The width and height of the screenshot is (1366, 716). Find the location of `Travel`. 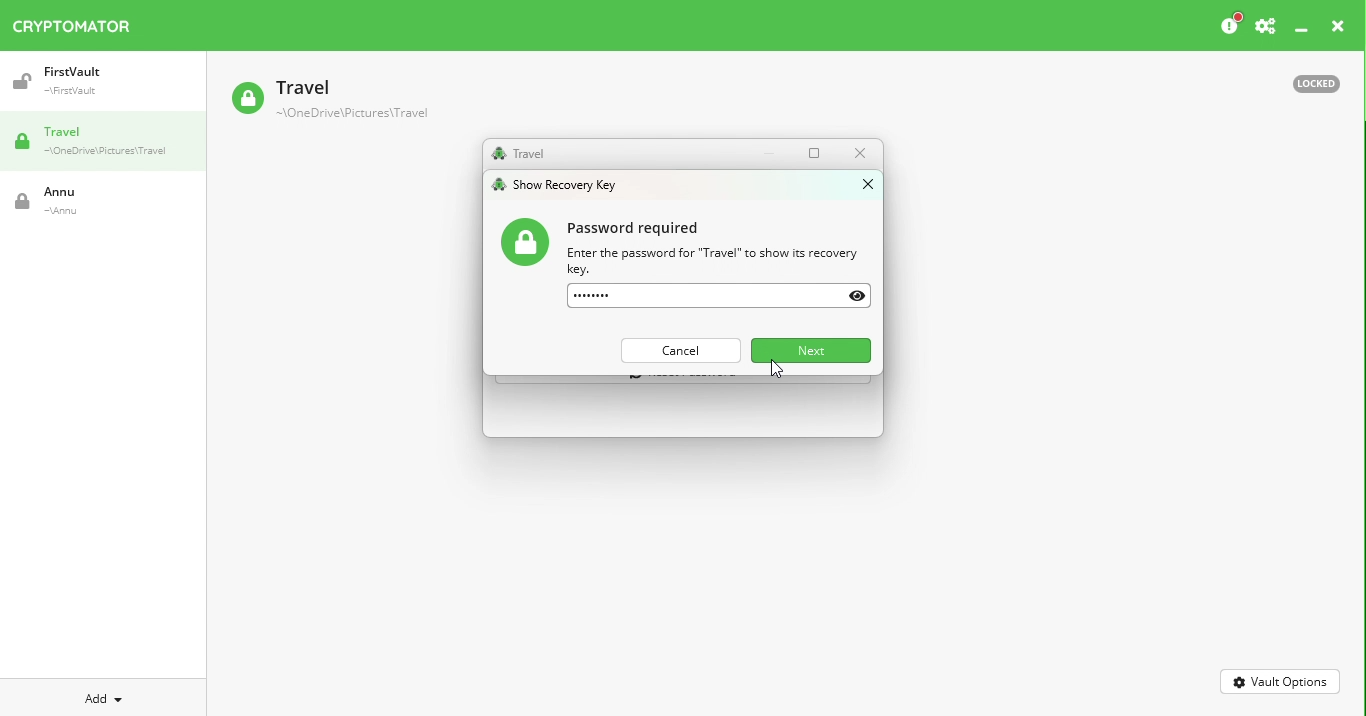

Travel is located at coordinates (110, 143).